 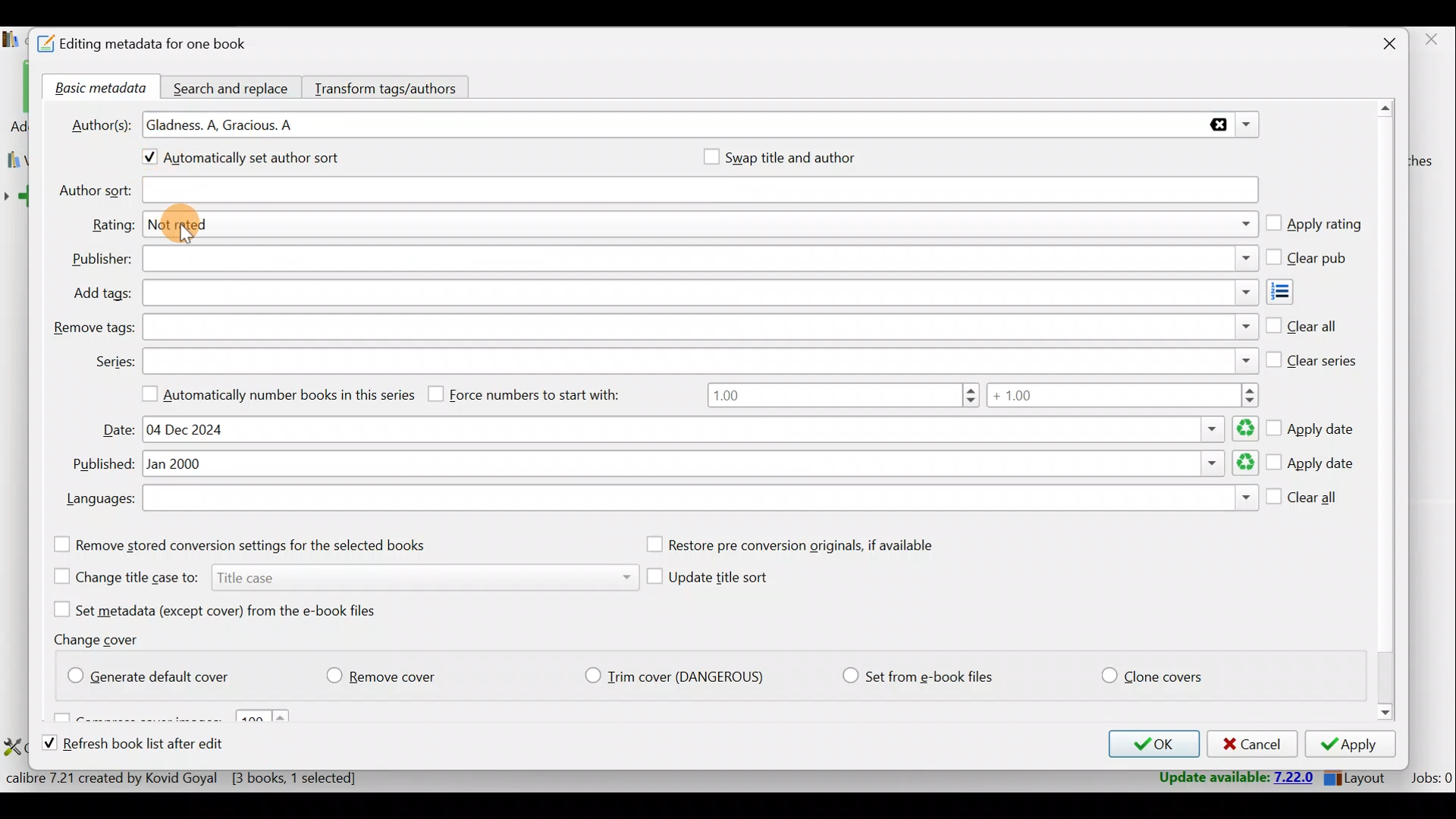 What do you see at coordinates (1311, 464) in the screenshot?
I see `Apply date` at bounding box center [1311, 464].